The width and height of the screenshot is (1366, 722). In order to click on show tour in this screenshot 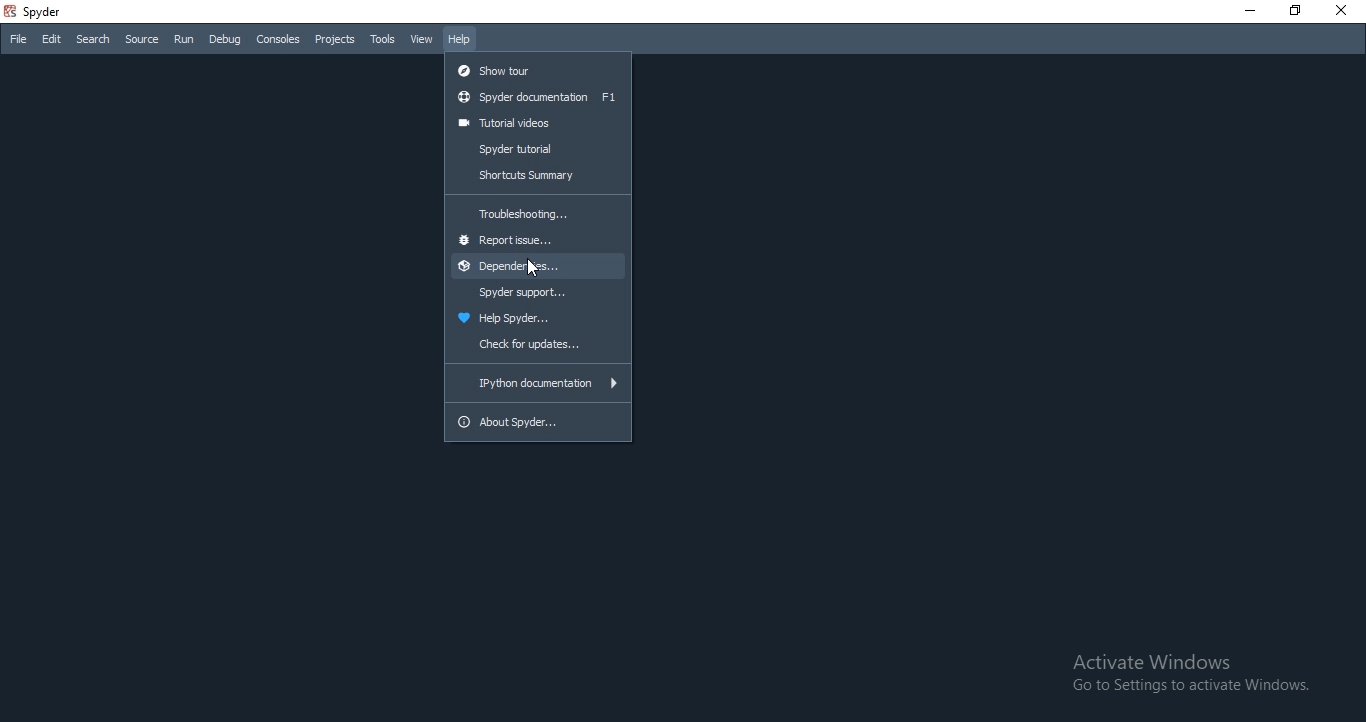, I will do `click(538, 69)`.